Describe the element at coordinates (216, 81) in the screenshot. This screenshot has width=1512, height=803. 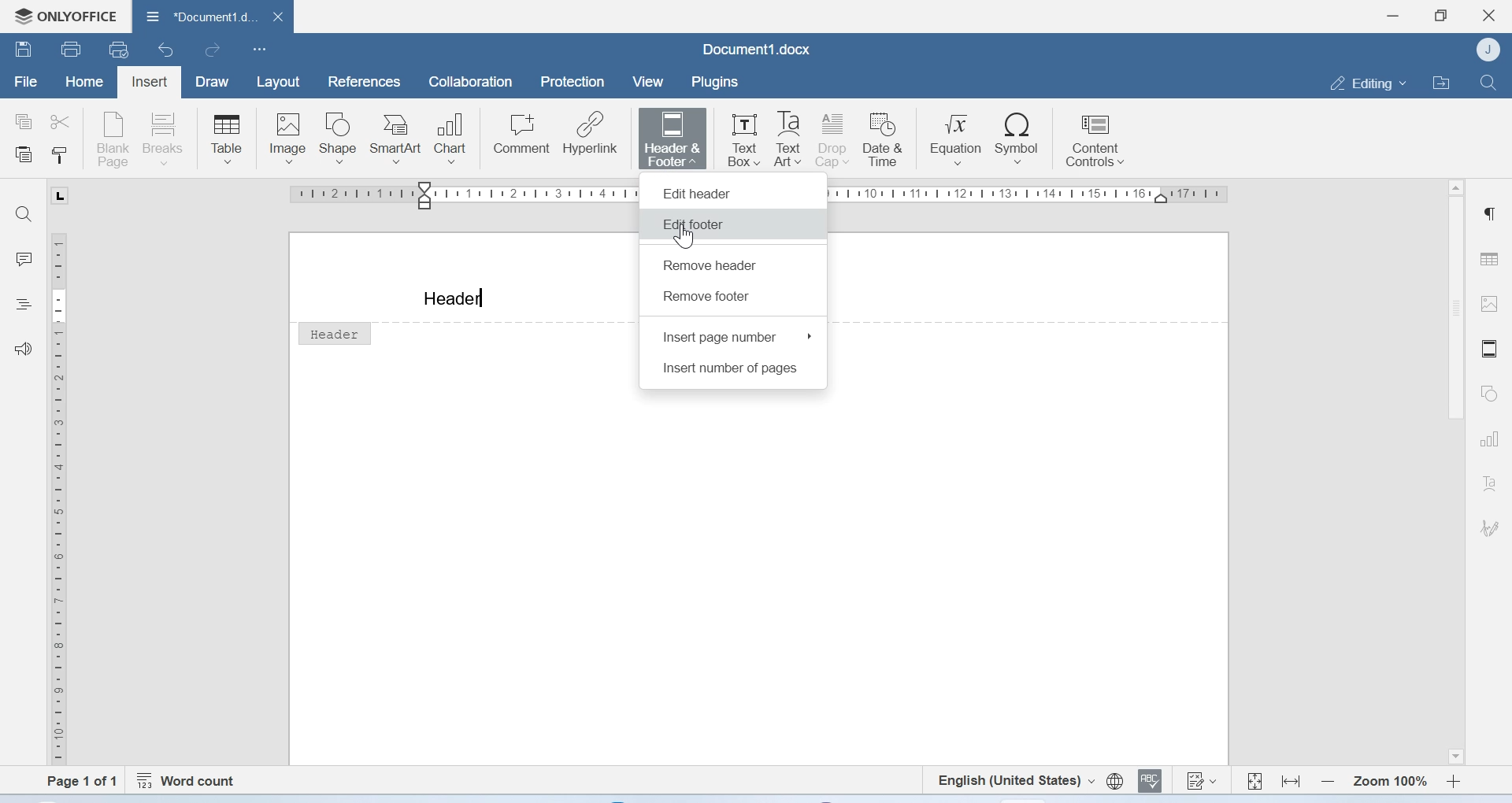
I see `Draw` at that location.